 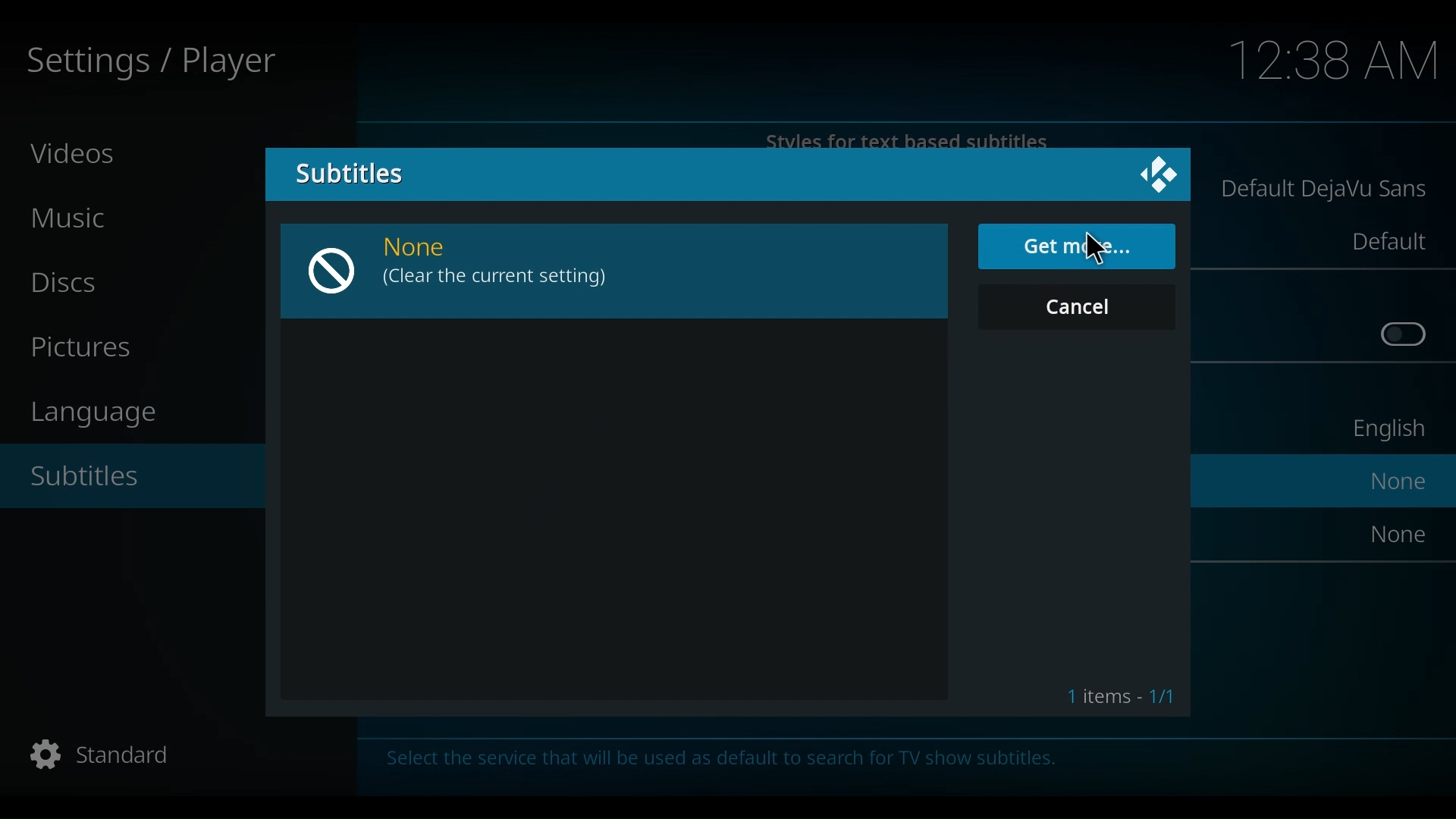 I want to click on Kodi logo, so click(x=1154, y=175).